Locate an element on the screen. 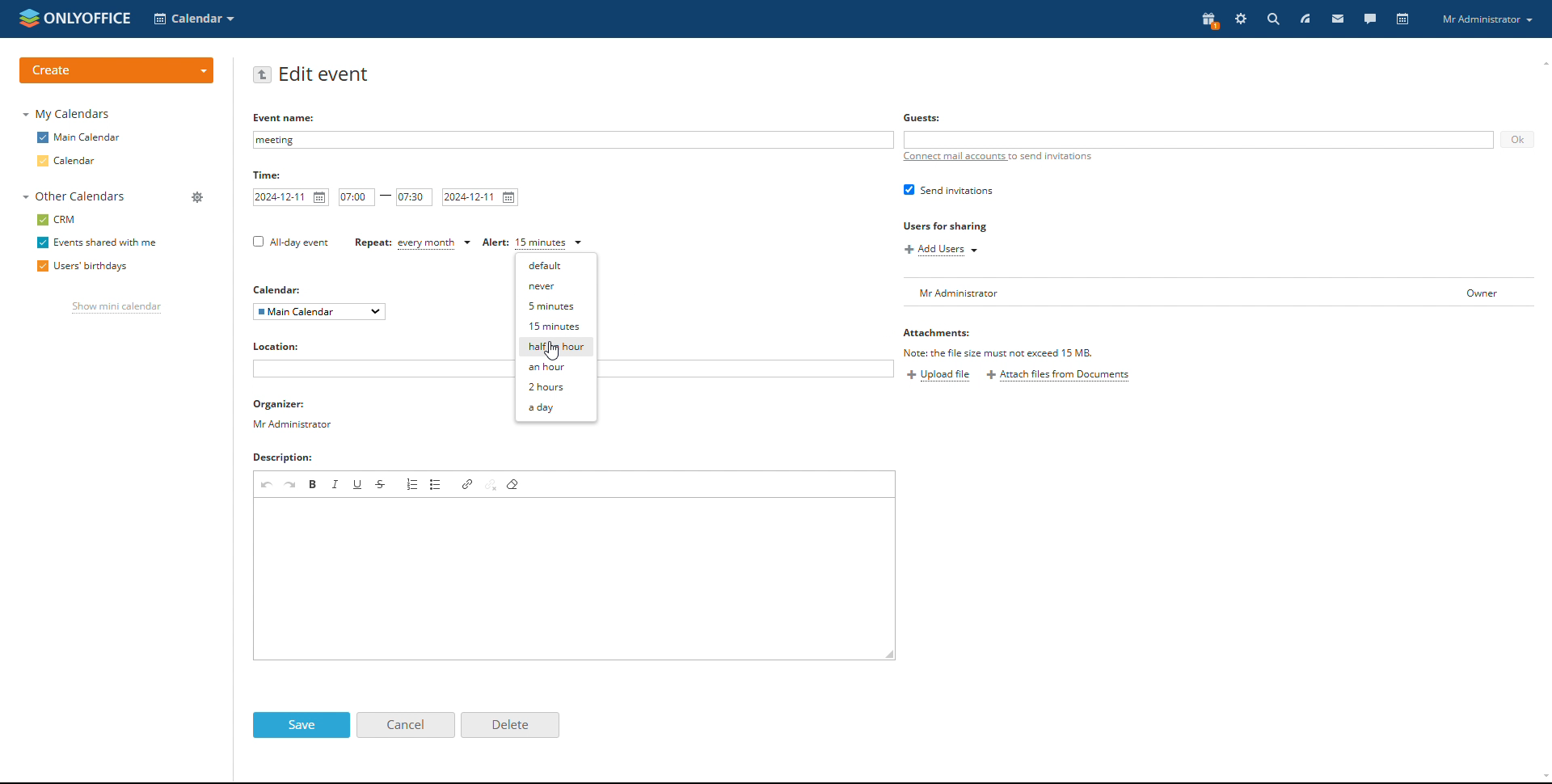 Image resolution: width=1552 pixels, height=784 pixels. cancel is located at coordinates (405, 725).